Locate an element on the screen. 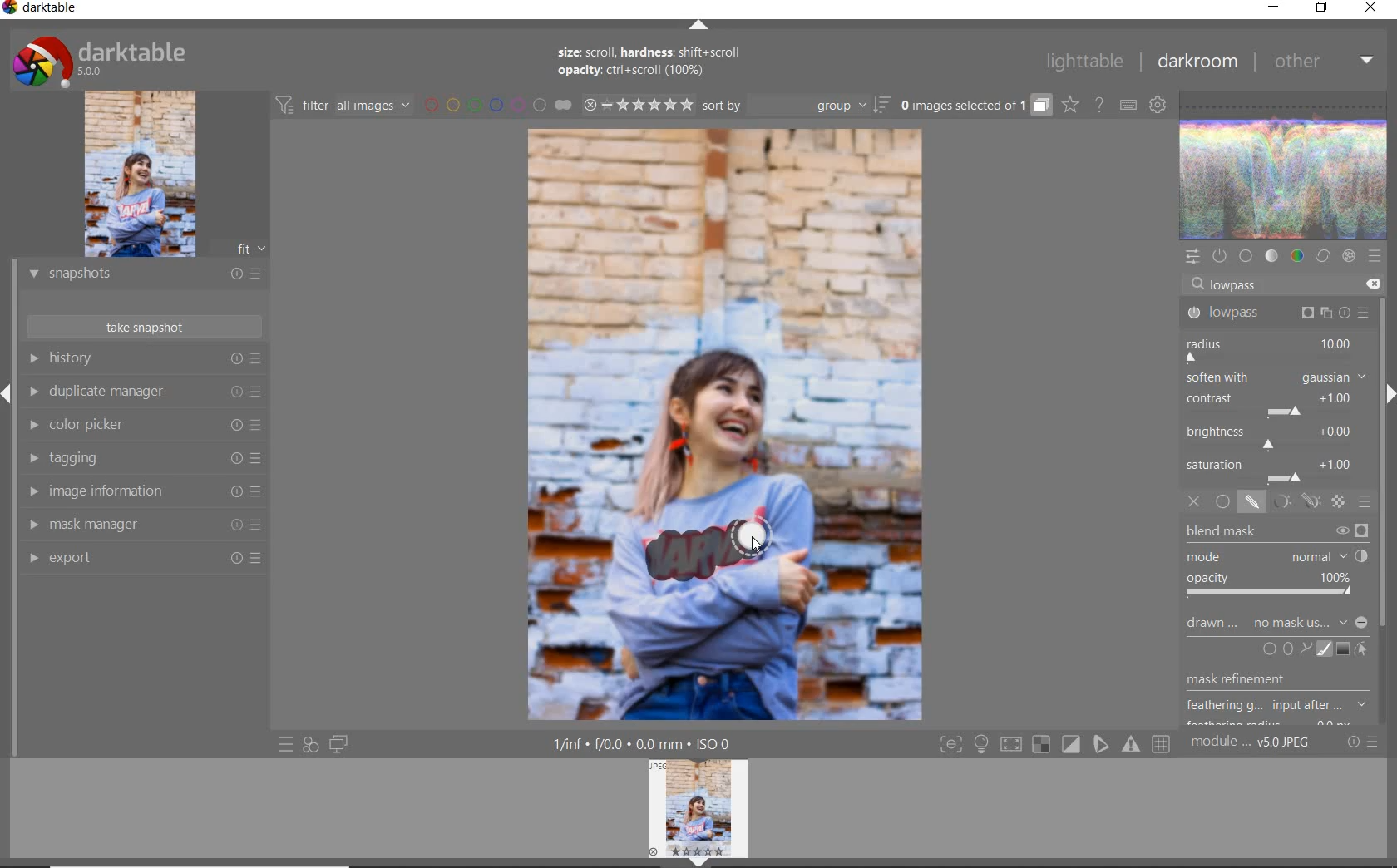  image preview is located at coordinates (163, 173).